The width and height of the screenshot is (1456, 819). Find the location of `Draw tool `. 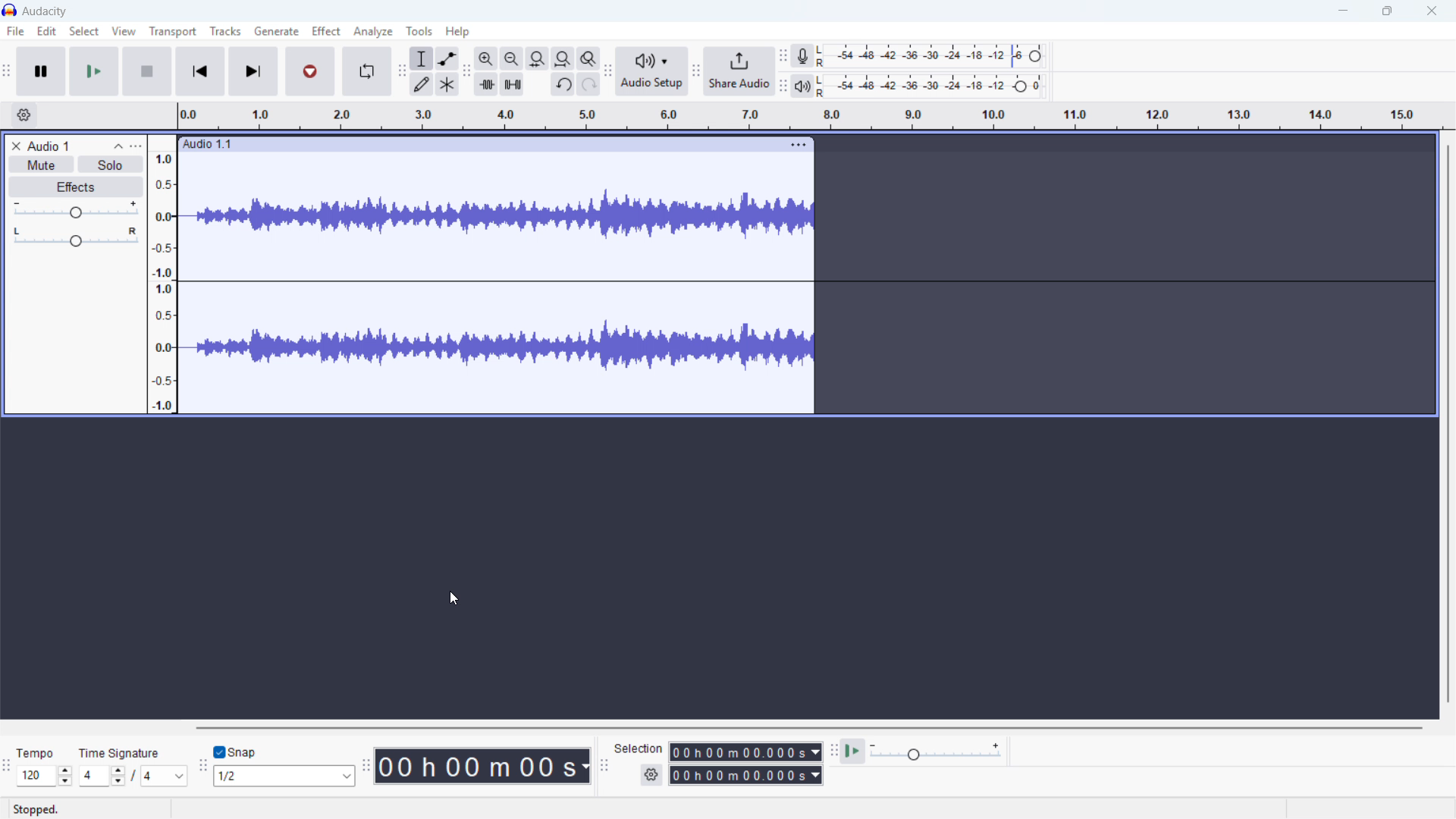

Draw tool  is located at coordinates (420, 84).